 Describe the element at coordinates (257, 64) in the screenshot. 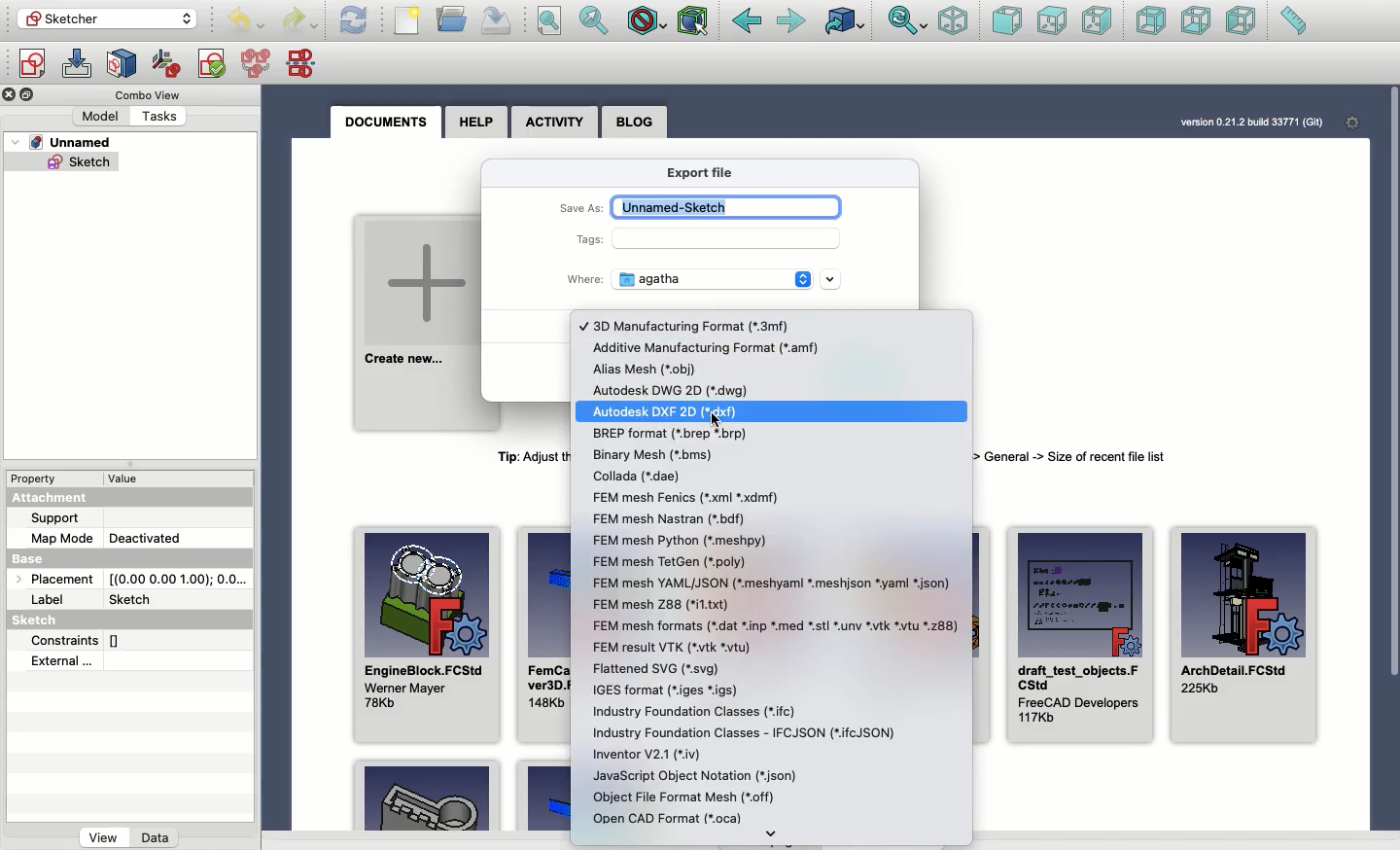

I see `Merge sketches` at that location.